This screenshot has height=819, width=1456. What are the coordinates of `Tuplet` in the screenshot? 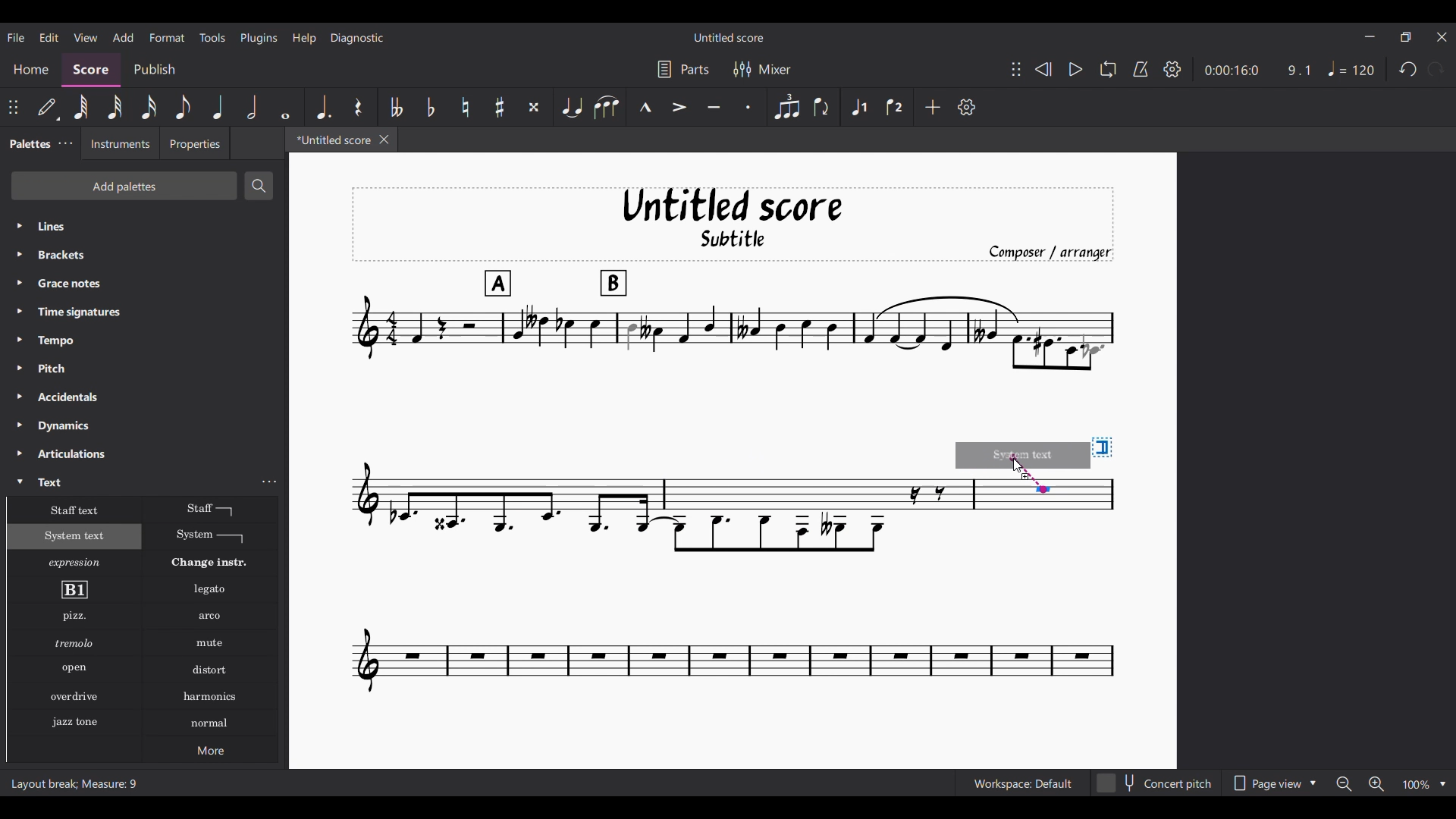 It's located at (788, 107).